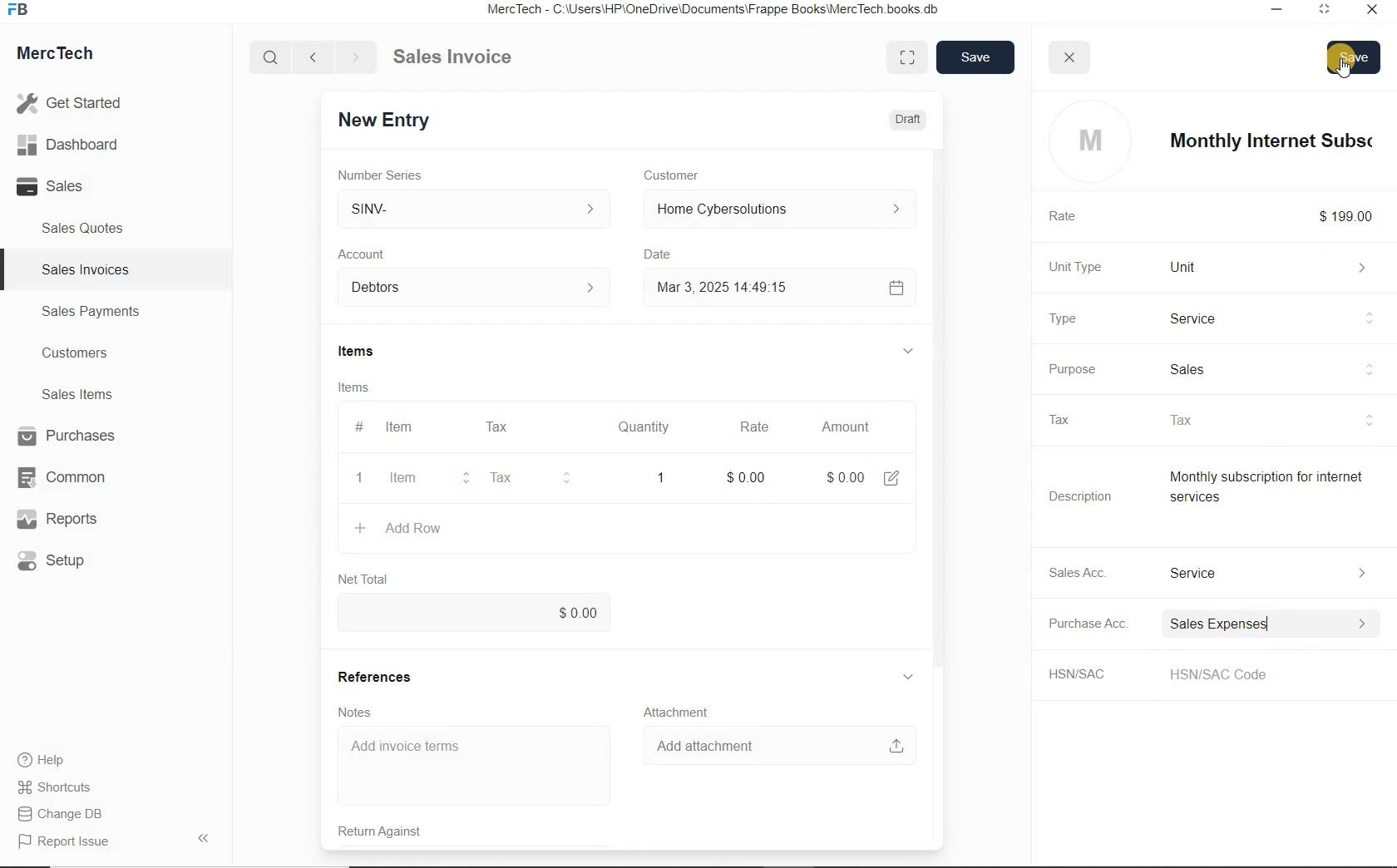 The width and height of the screenshot is (1397, 868). Describe the element at coordinates (86, 269) in the screenshot. I see `Sales Invoices` at that location.